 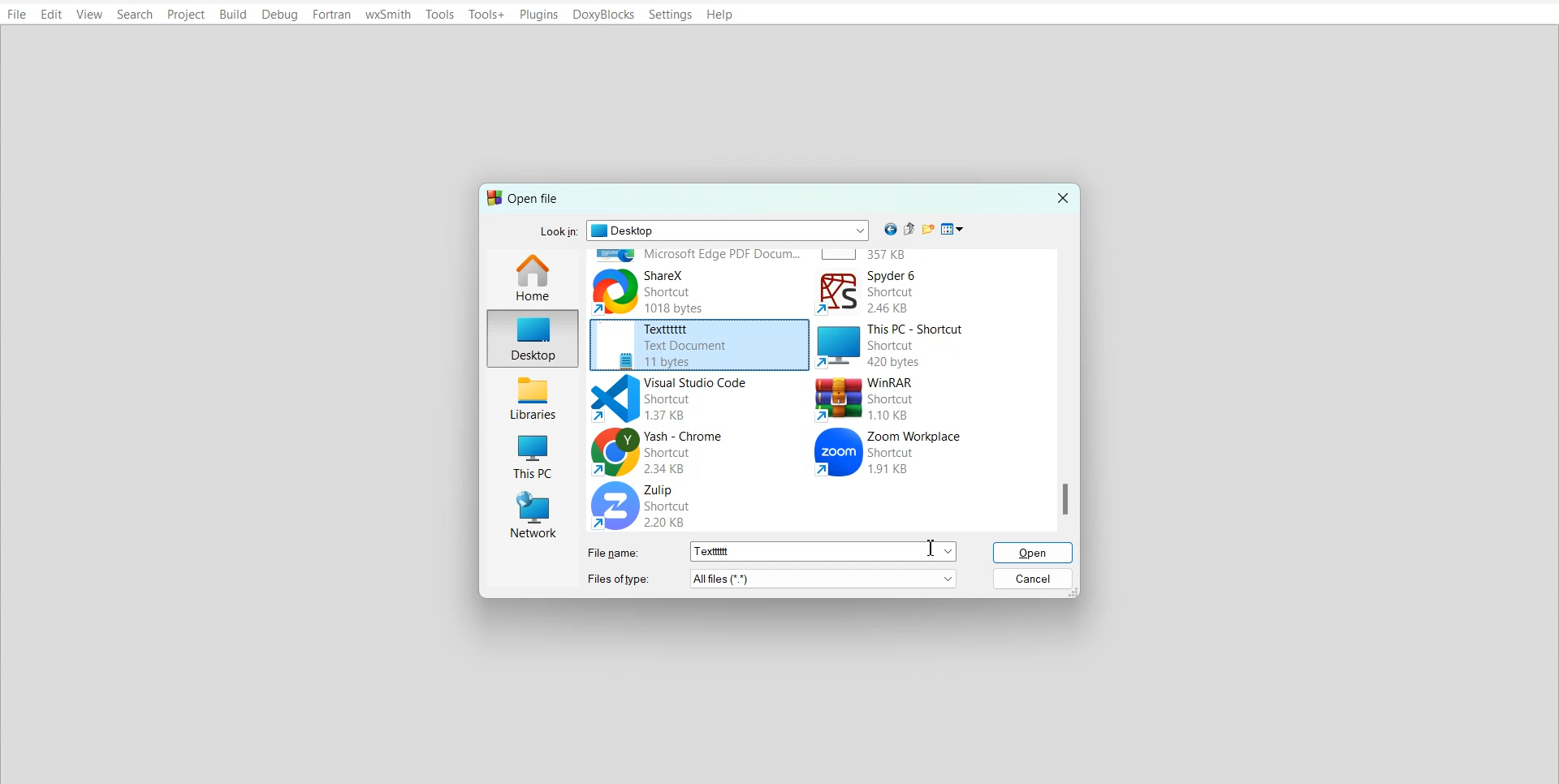 I want to click on Settings, so click(x=671, y=15).